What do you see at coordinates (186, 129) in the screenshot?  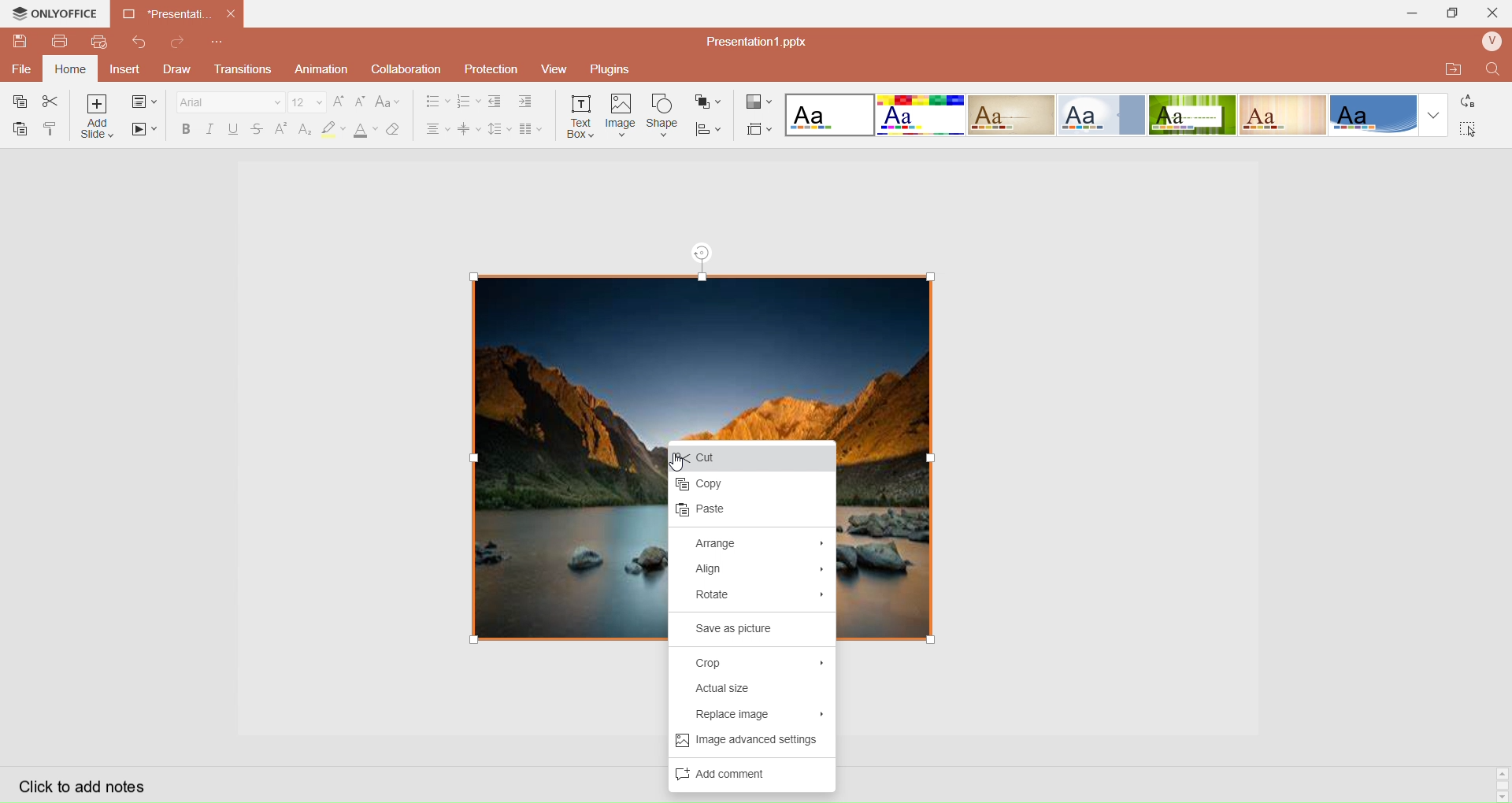 I see `Bold` at bounding box center [186, 129].